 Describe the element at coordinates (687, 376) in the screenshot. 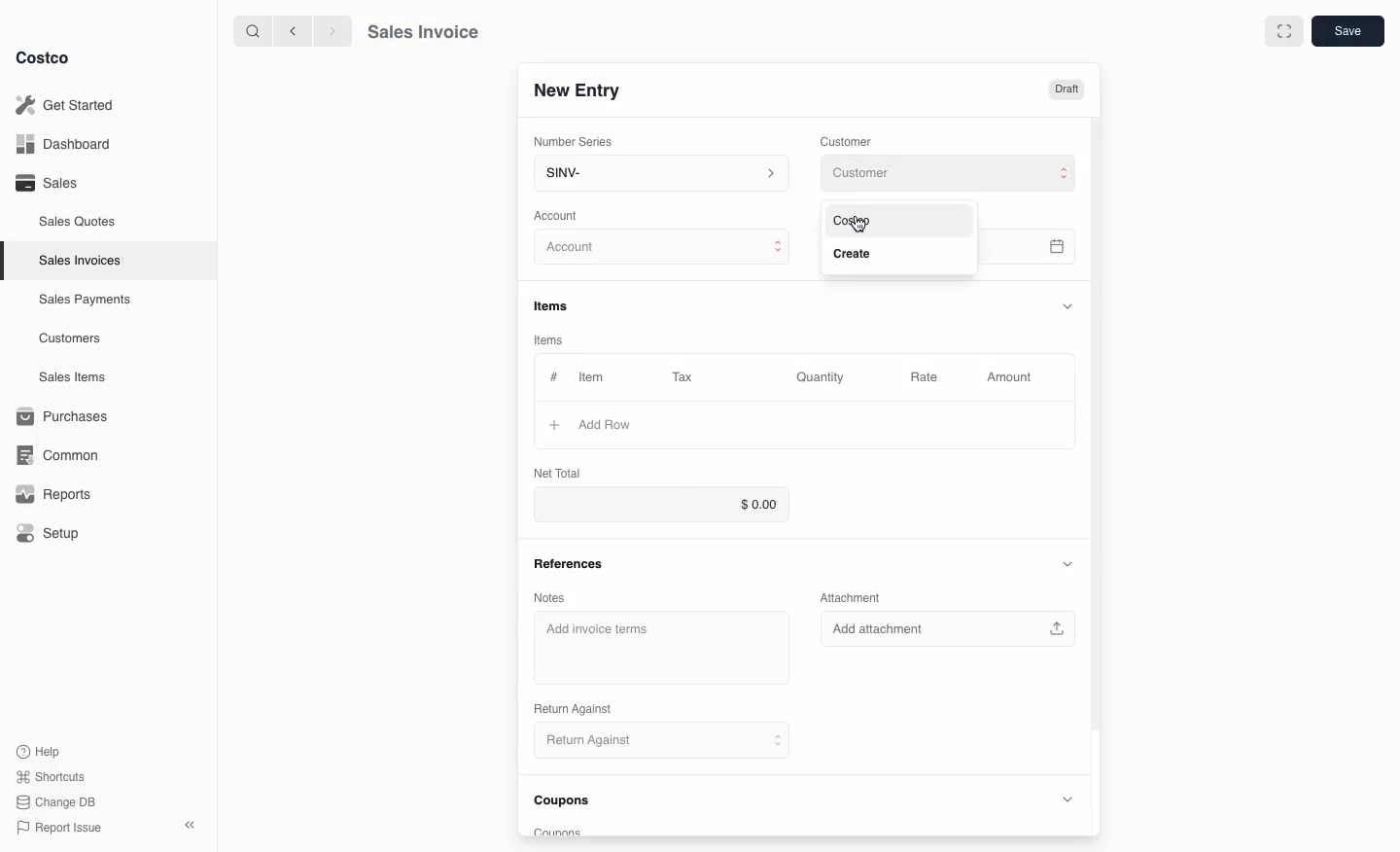

I see `Tax` at that location.